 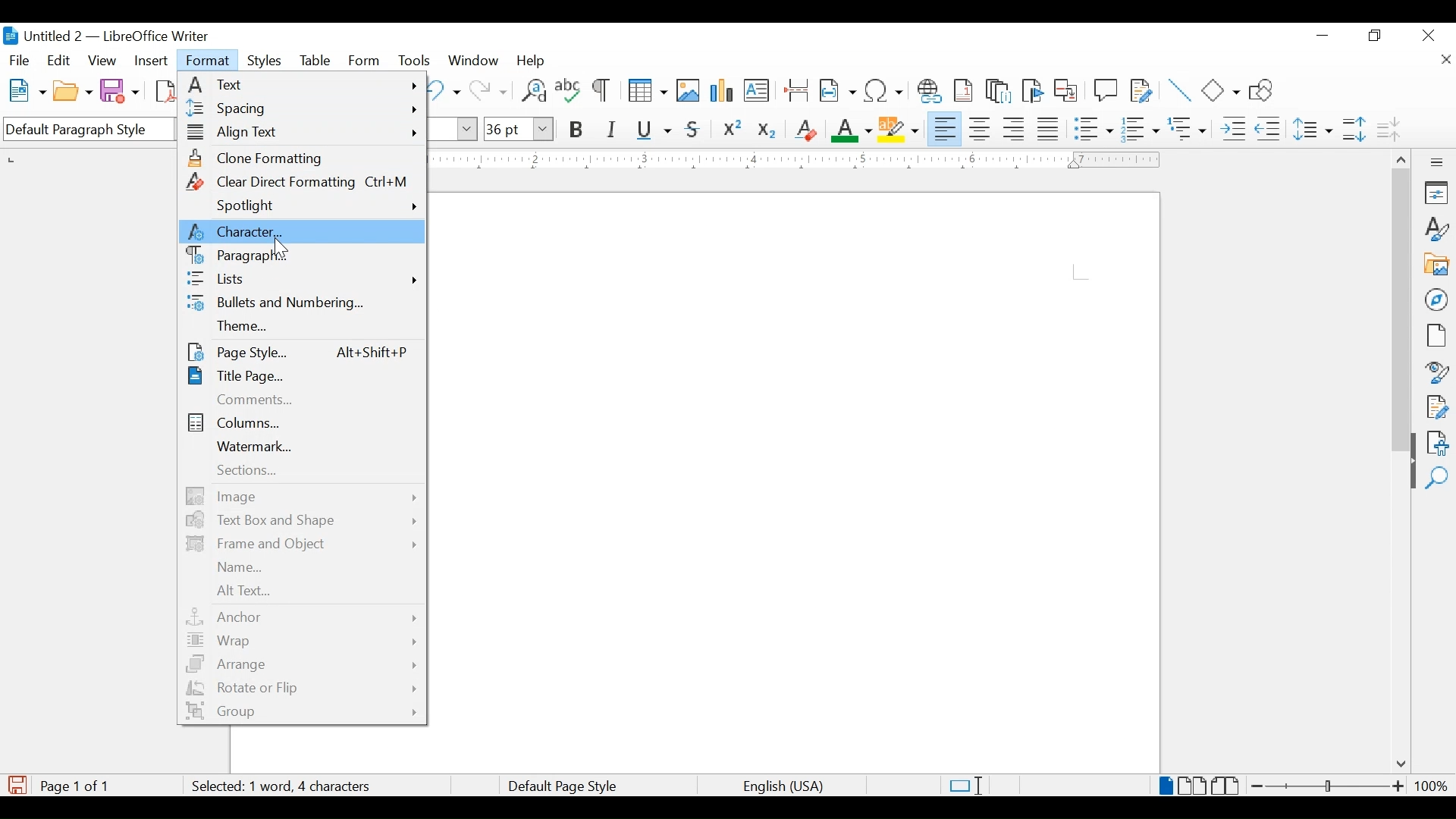 What do you see at coordinates (733, 130) in the screenshot?
I see `superscript` at bounding box center [733, 130].